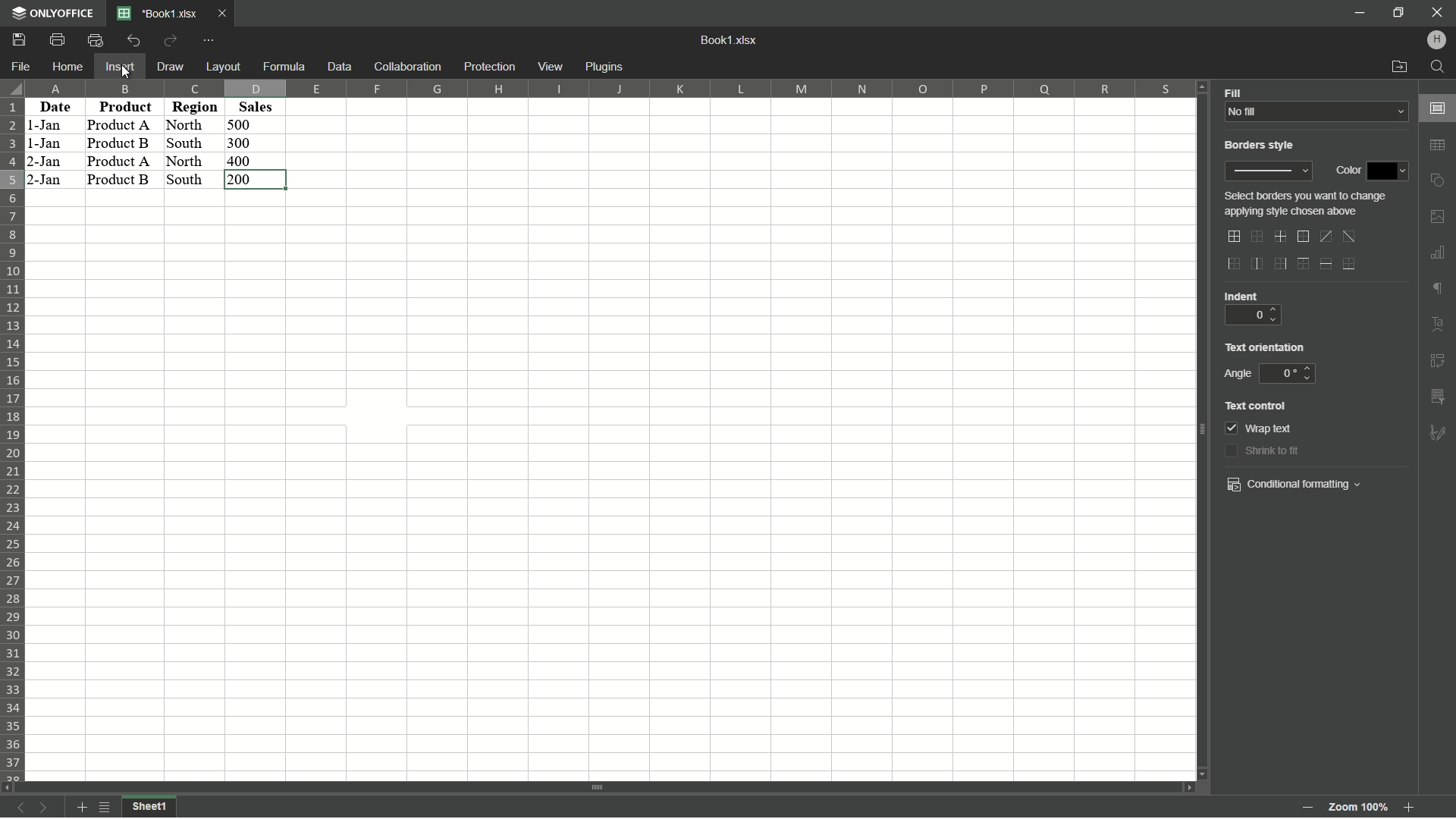  Describe the element at coordinates (57, 42) in the screenshot. I see `Print file` at that location.